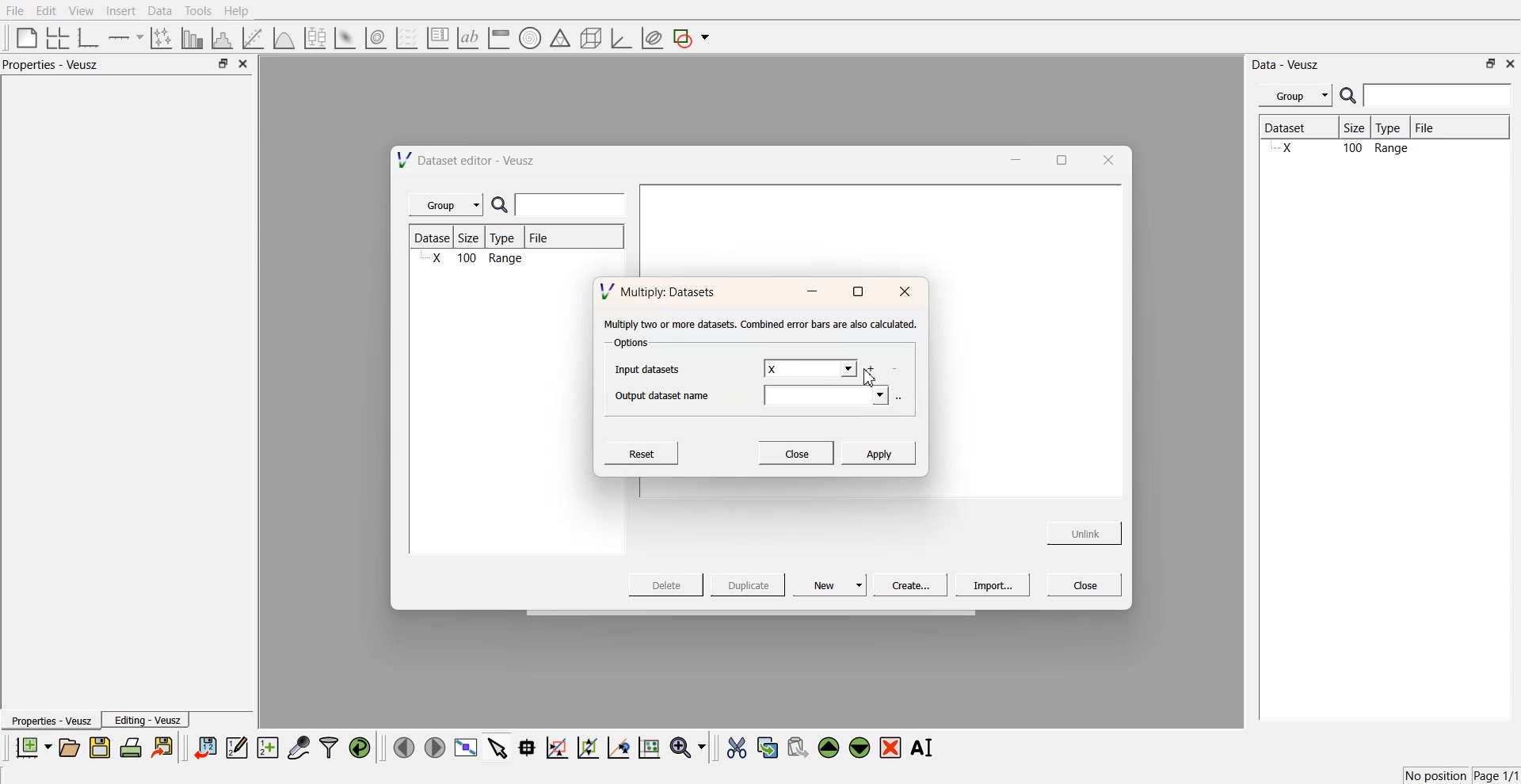 This screenshot has width=1521, height=784. Describe the element at coordinates (507, 238) in the screenshot. I see `Type` at that location.